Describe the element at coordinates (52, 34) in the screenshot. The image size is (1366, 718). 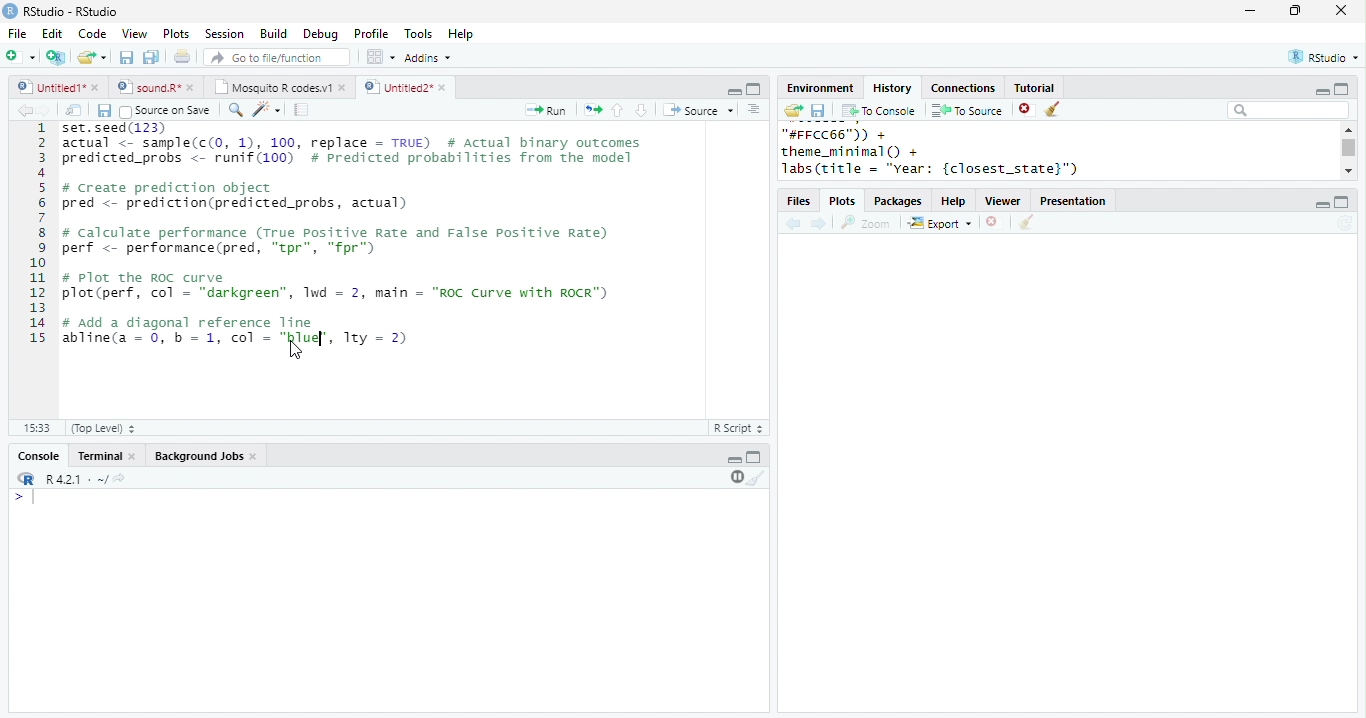
I see `Edit` at that location.